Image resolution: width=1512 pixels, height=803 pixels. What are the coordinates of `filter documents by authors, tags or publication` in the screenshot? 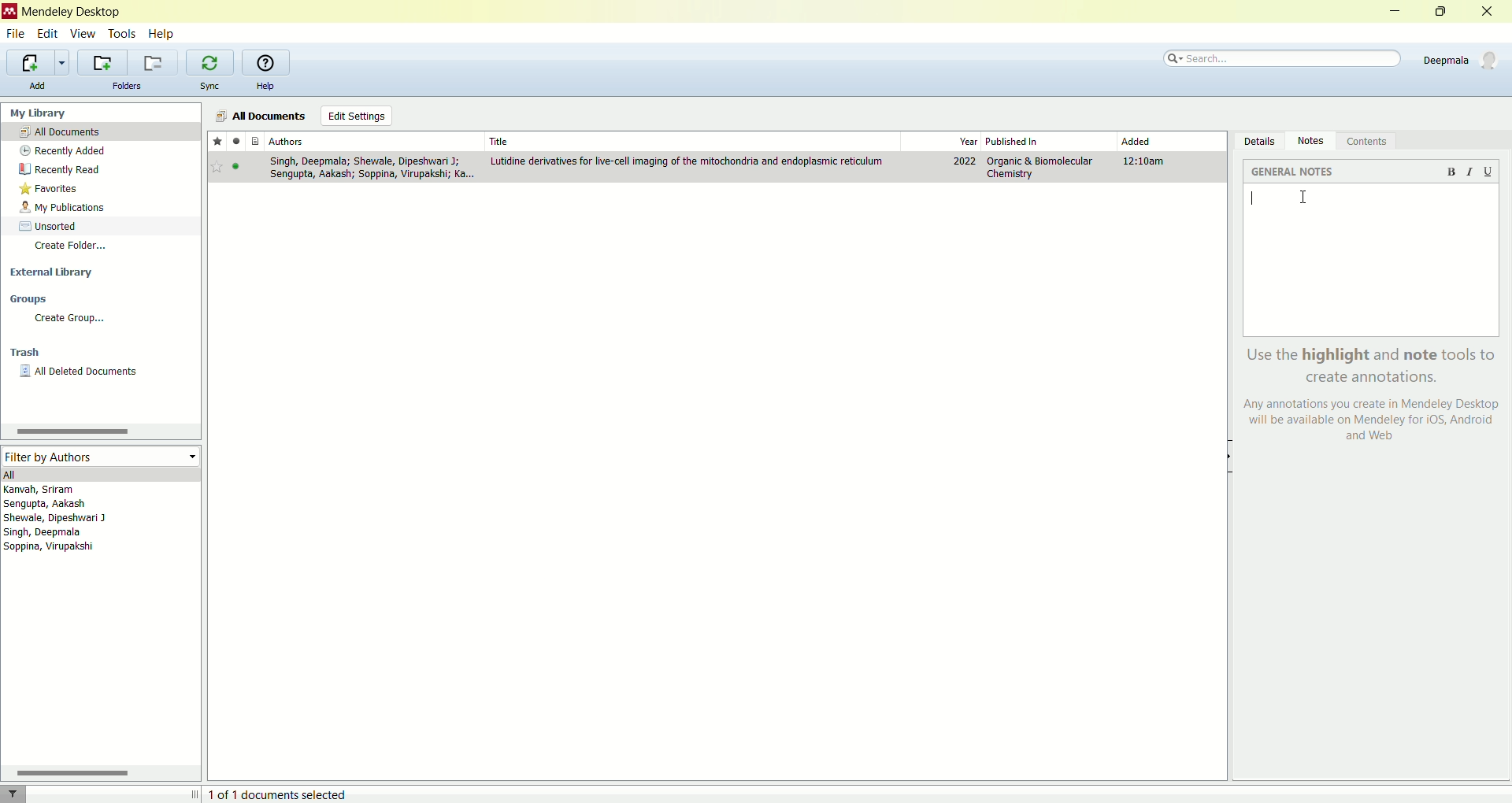 It's located at (23, 794).